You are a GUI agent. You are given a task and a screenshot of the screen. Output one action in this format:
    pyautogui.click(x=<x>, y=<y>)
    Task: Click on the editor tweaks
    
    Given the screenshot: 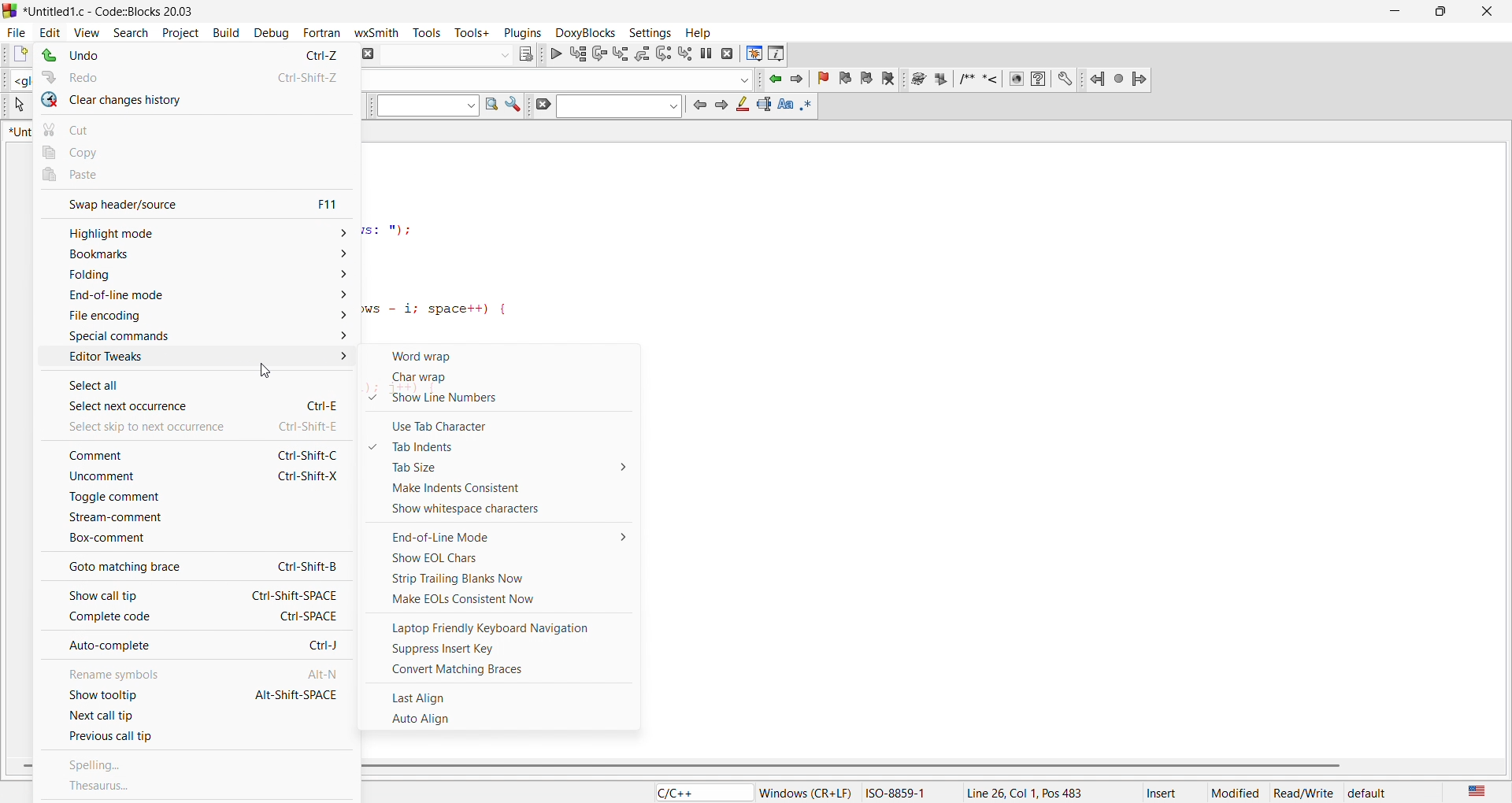 What is the action you would take?
    pyautogui.click(x=194, y=361)
    